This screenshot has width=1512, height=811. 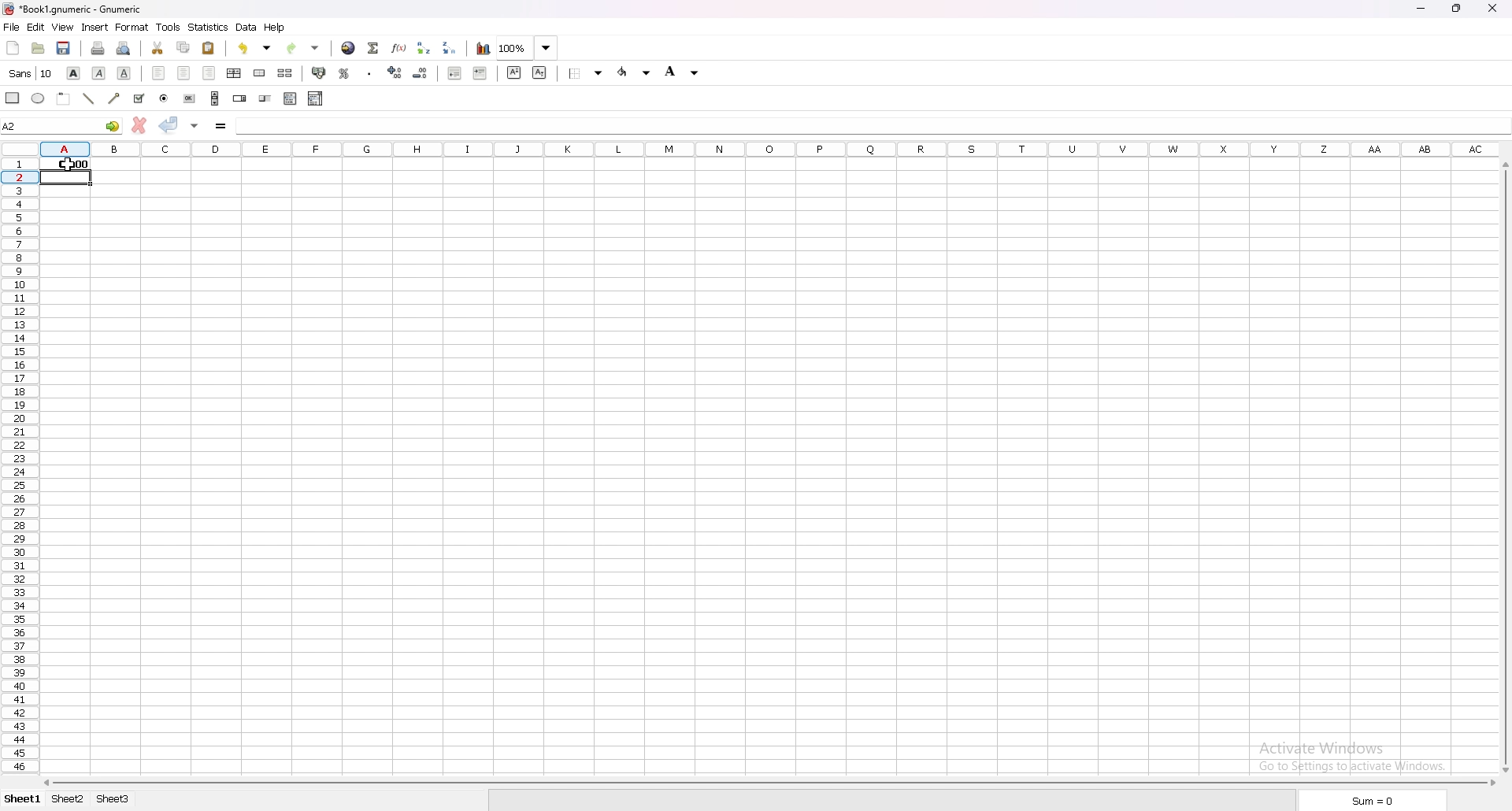 What do you see at coordinates (290, 98) in the screenshot?
I see `list` at bounding box center [290, 98].